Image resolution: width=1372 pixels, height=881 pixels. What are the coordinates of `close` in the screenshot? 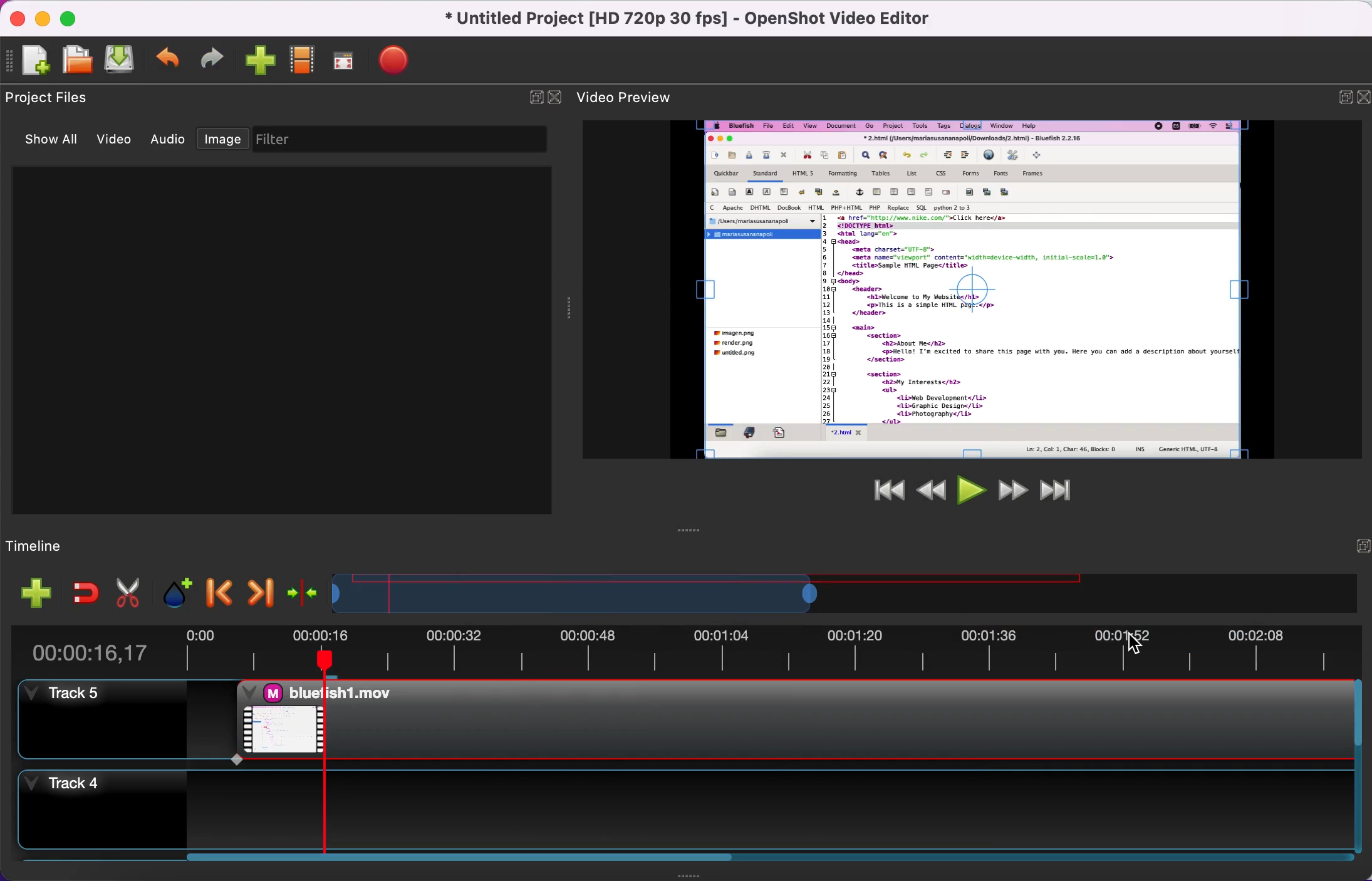 It's located at (21, 21).